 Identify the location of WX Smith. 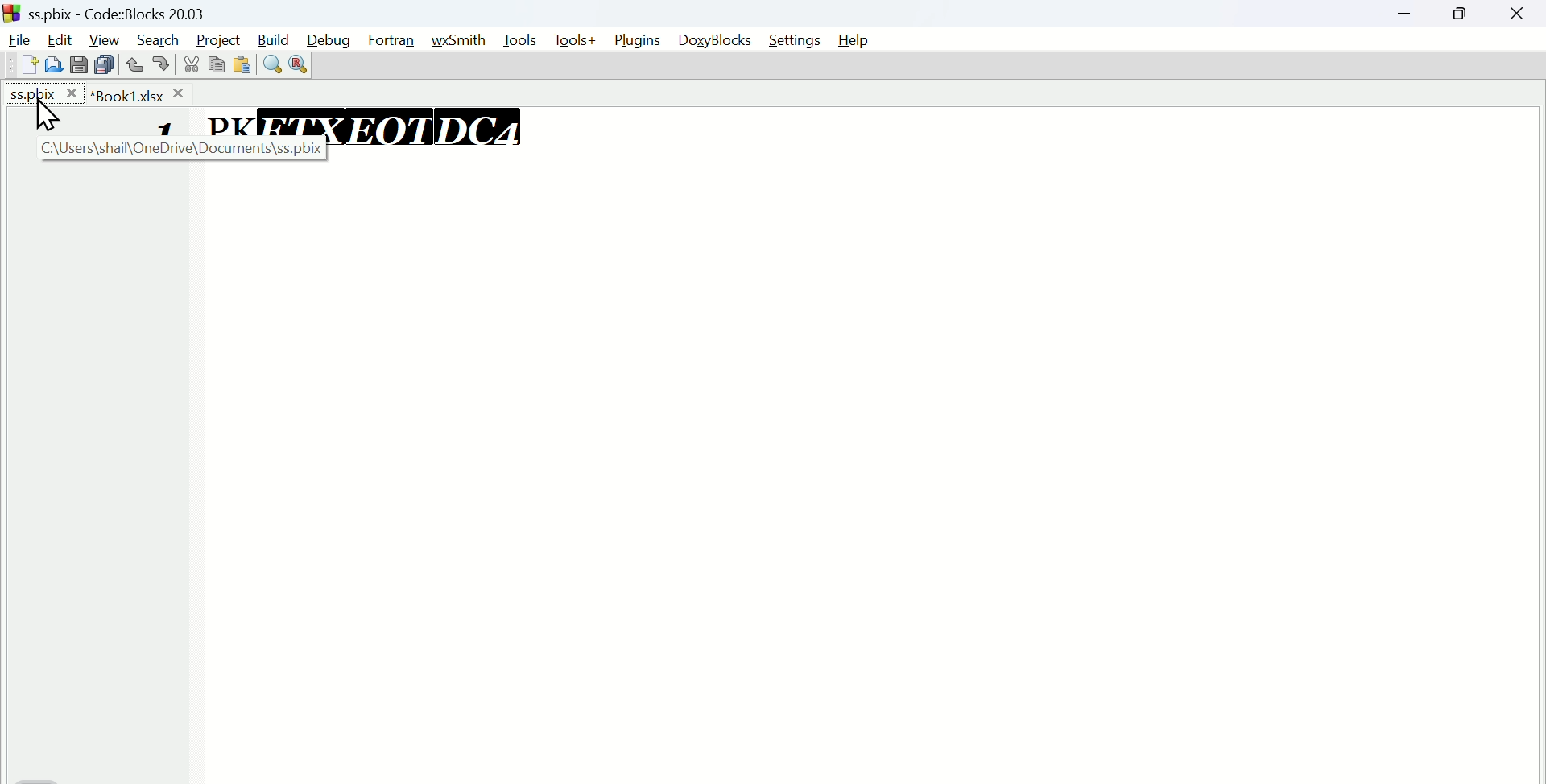
(465, 38).